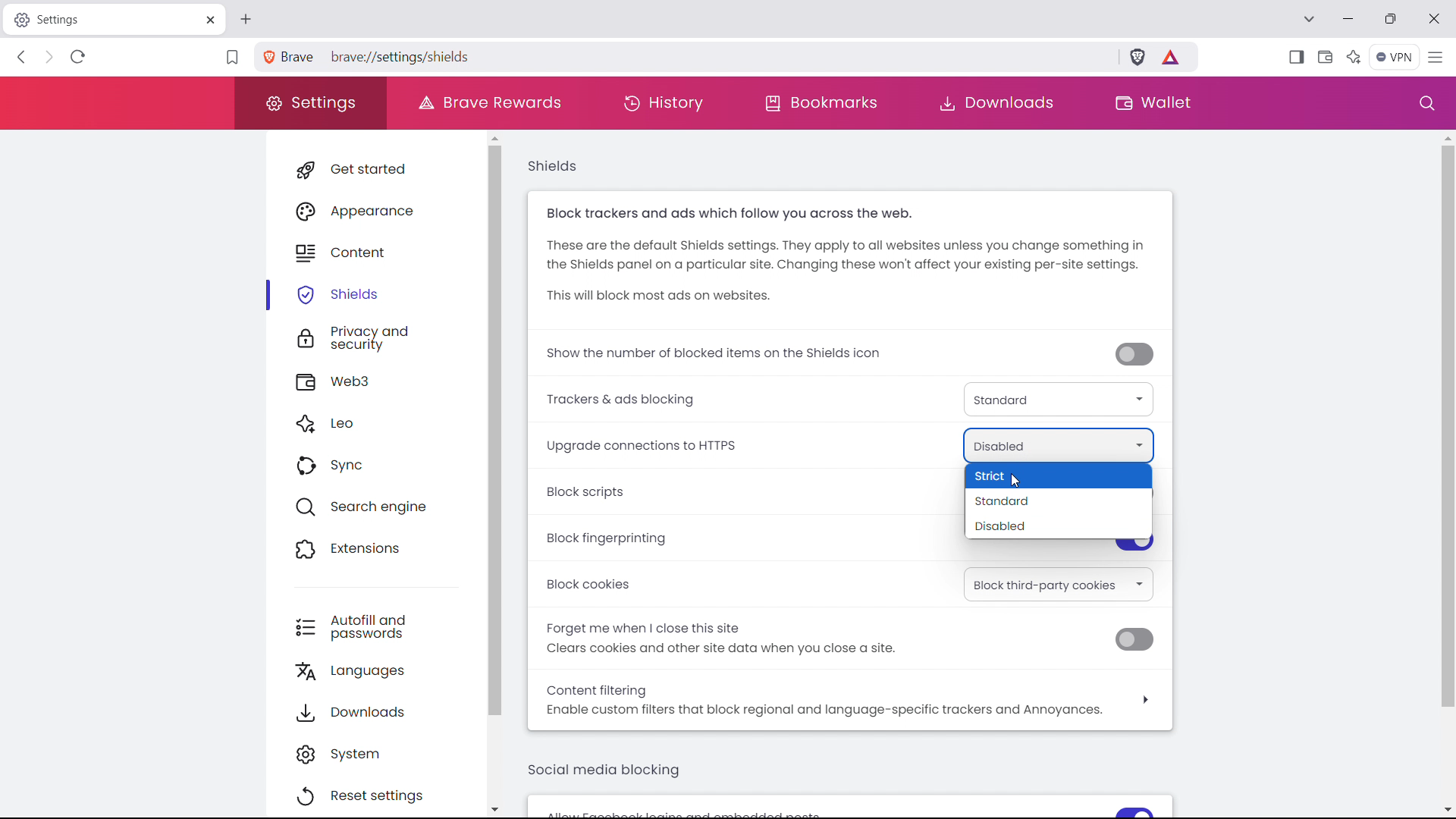  I want to click on settings, so click(309, 104).